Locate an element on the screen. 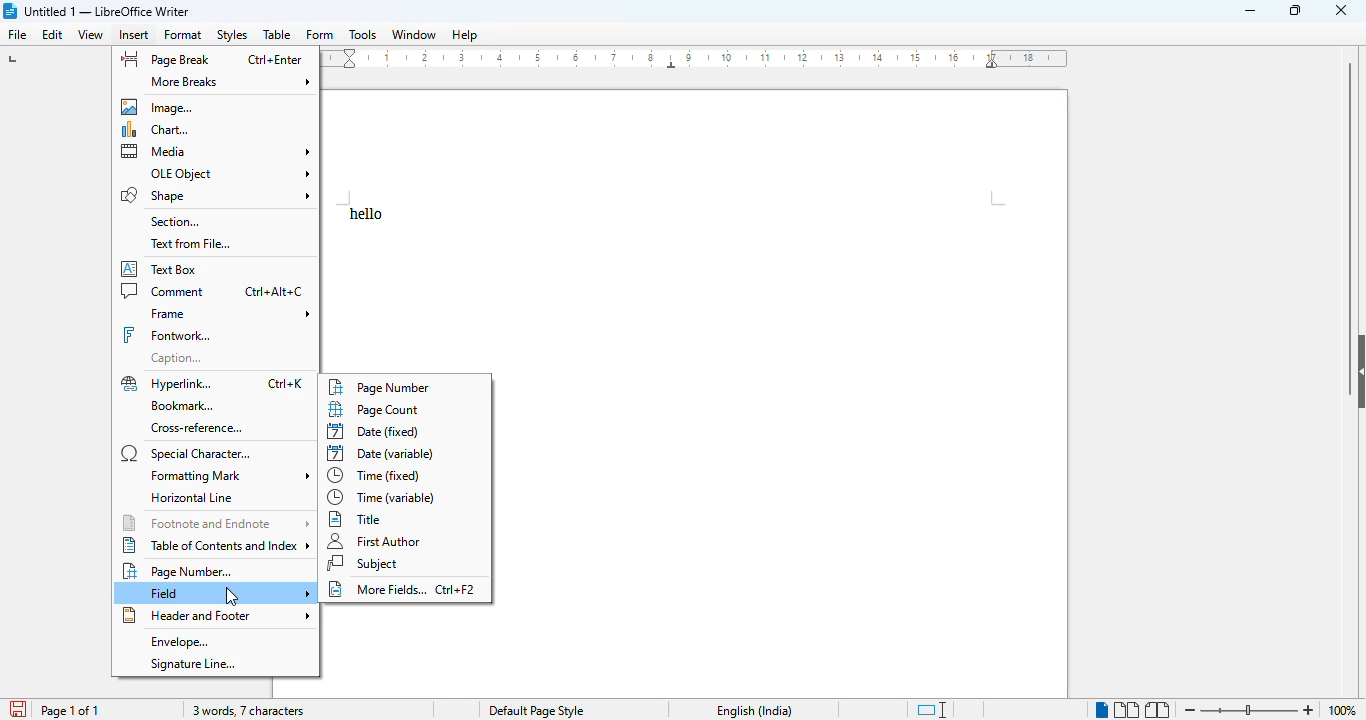  cursor is located at coordinates (229, 596).